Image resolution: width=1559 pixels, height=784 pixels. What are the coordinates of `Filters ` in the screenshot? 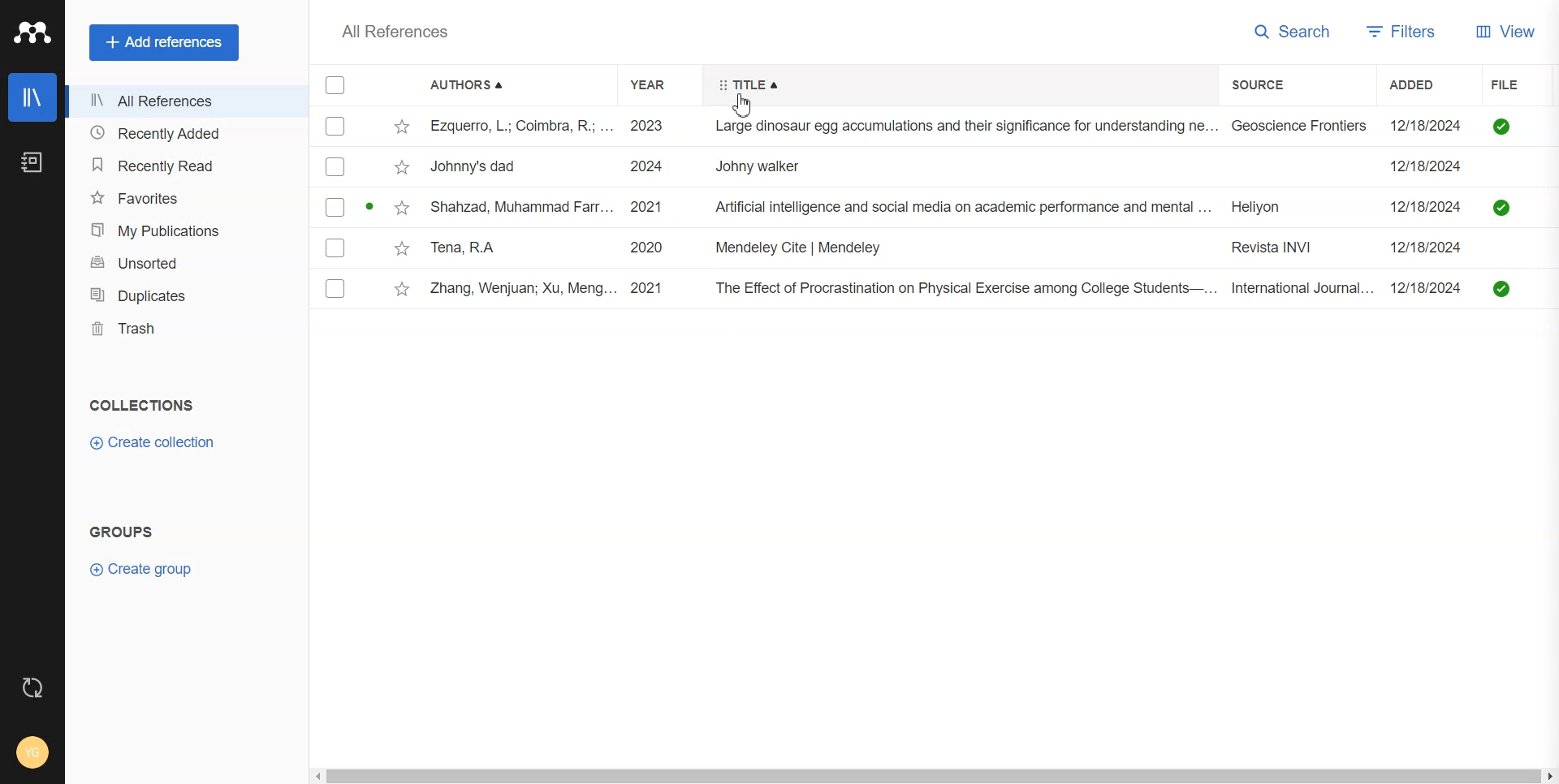 It's located at (1407, 30).